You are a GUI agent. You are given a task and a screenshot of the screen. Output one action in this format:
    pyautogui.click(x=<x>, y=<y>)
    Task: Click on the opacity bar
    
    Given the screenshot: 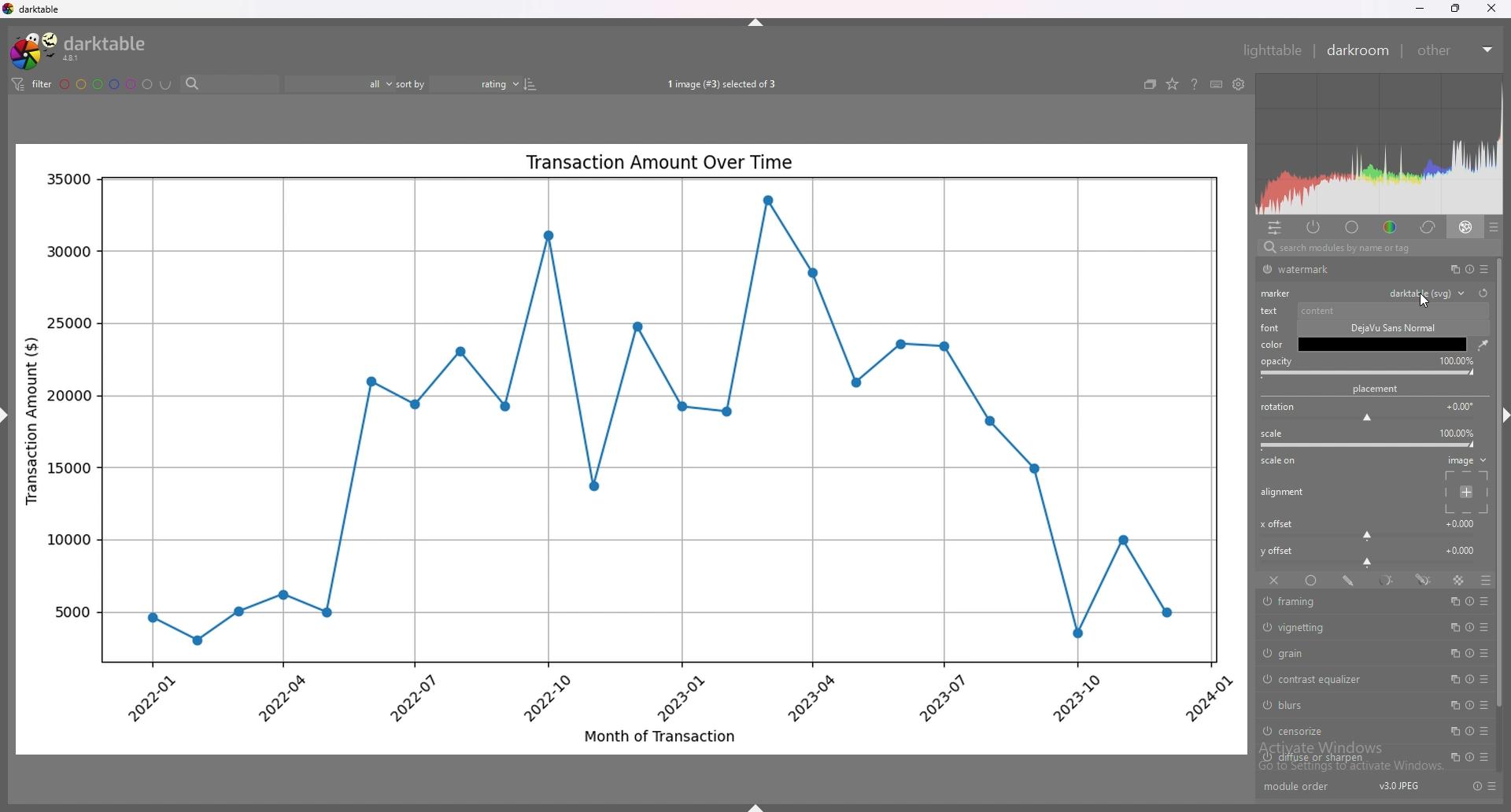 What is the action you would take?
    pyautogui.click(x=1368, y=374)
    